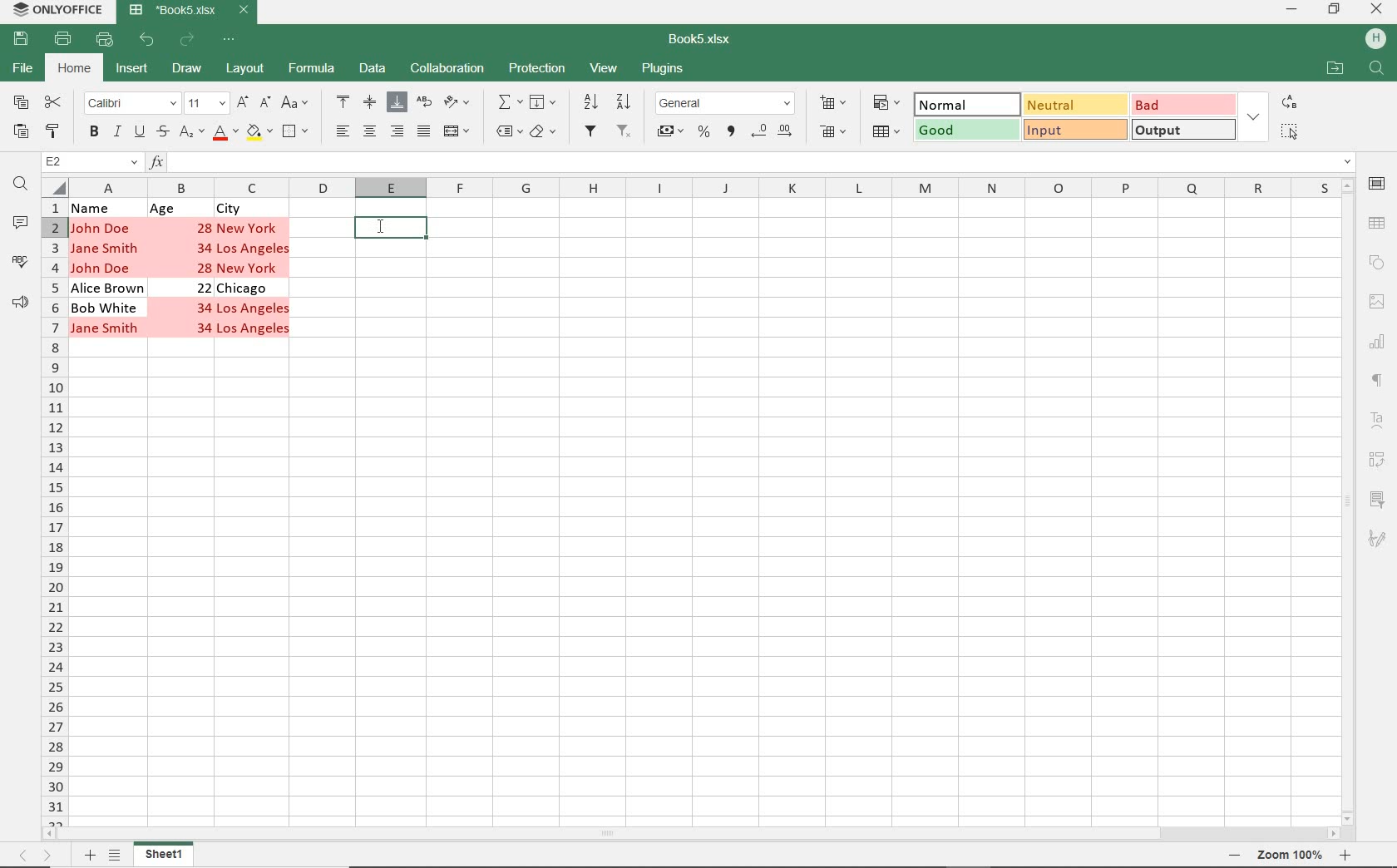 The width and height of the screenshot is (1397, 868). Describe the element at coordinates (21, 226) in the screenshot. I see `COMMENTS` at that location.